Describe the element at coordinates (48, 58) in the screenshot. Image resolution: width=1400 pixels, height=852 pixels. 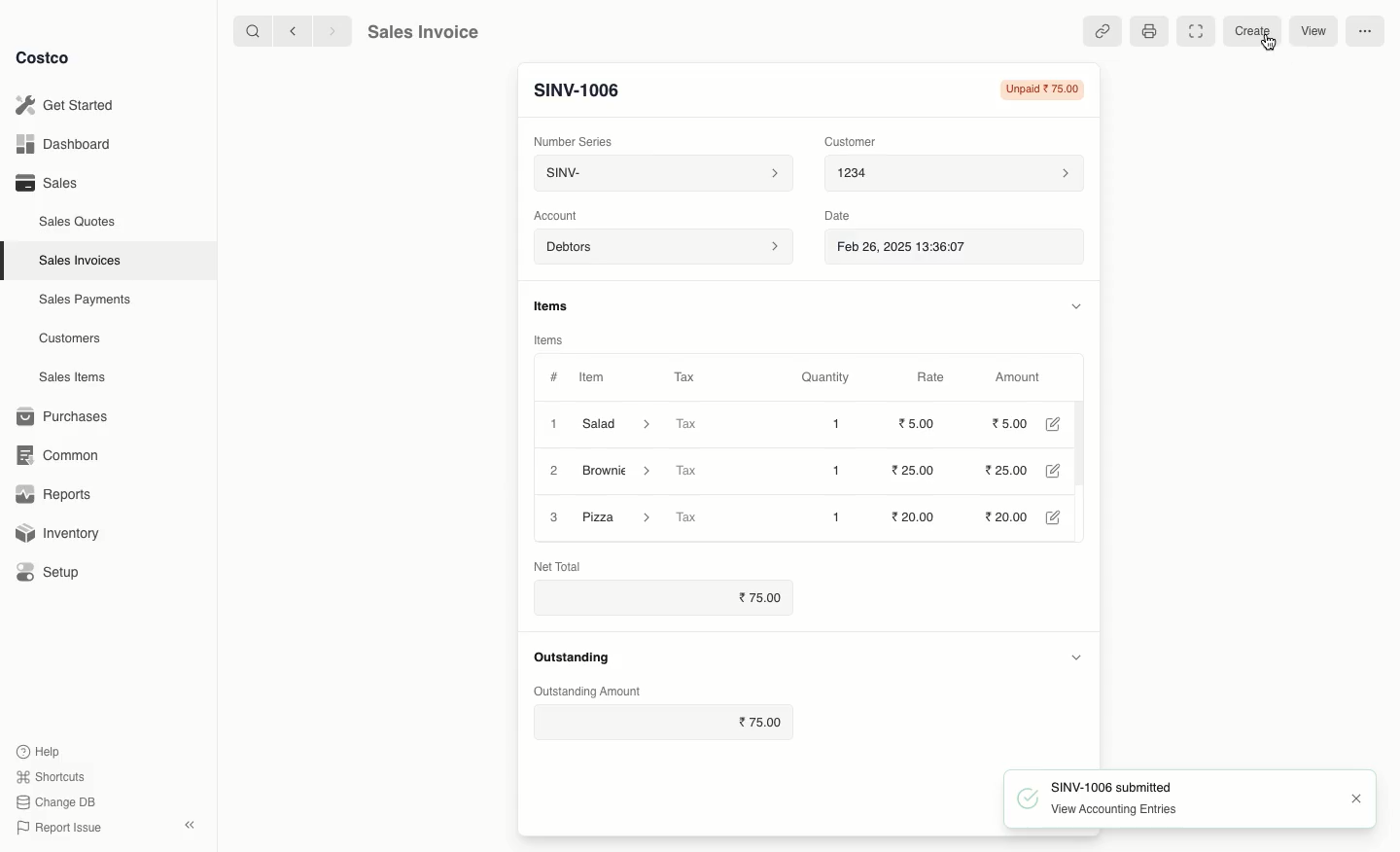
I see `Costco` at that location.